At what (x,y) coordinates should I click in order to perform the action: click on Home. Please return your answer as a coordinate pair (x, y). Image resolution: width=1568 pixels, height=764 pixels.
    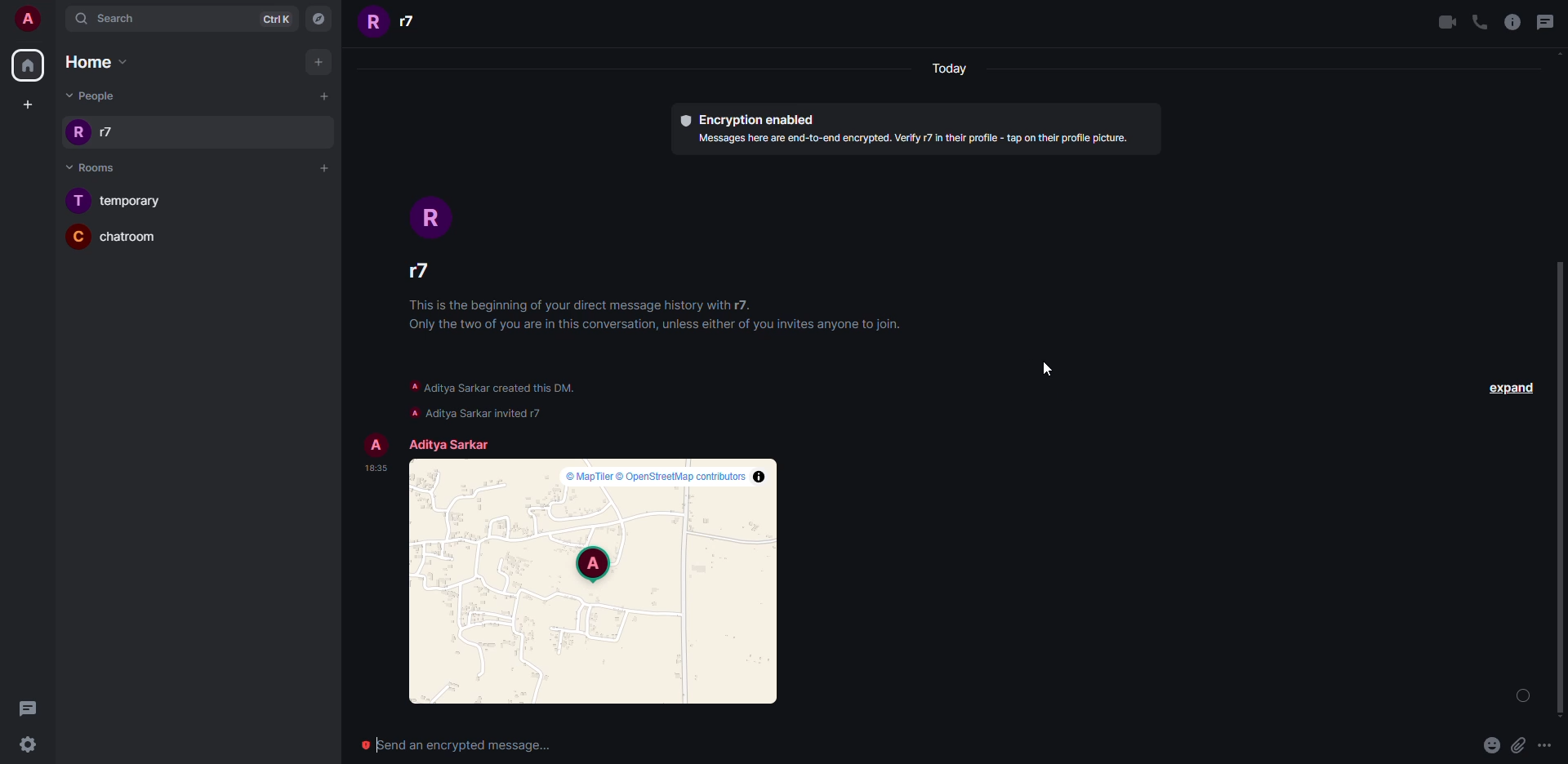
    Looking at the image, I should click on (26, 65).